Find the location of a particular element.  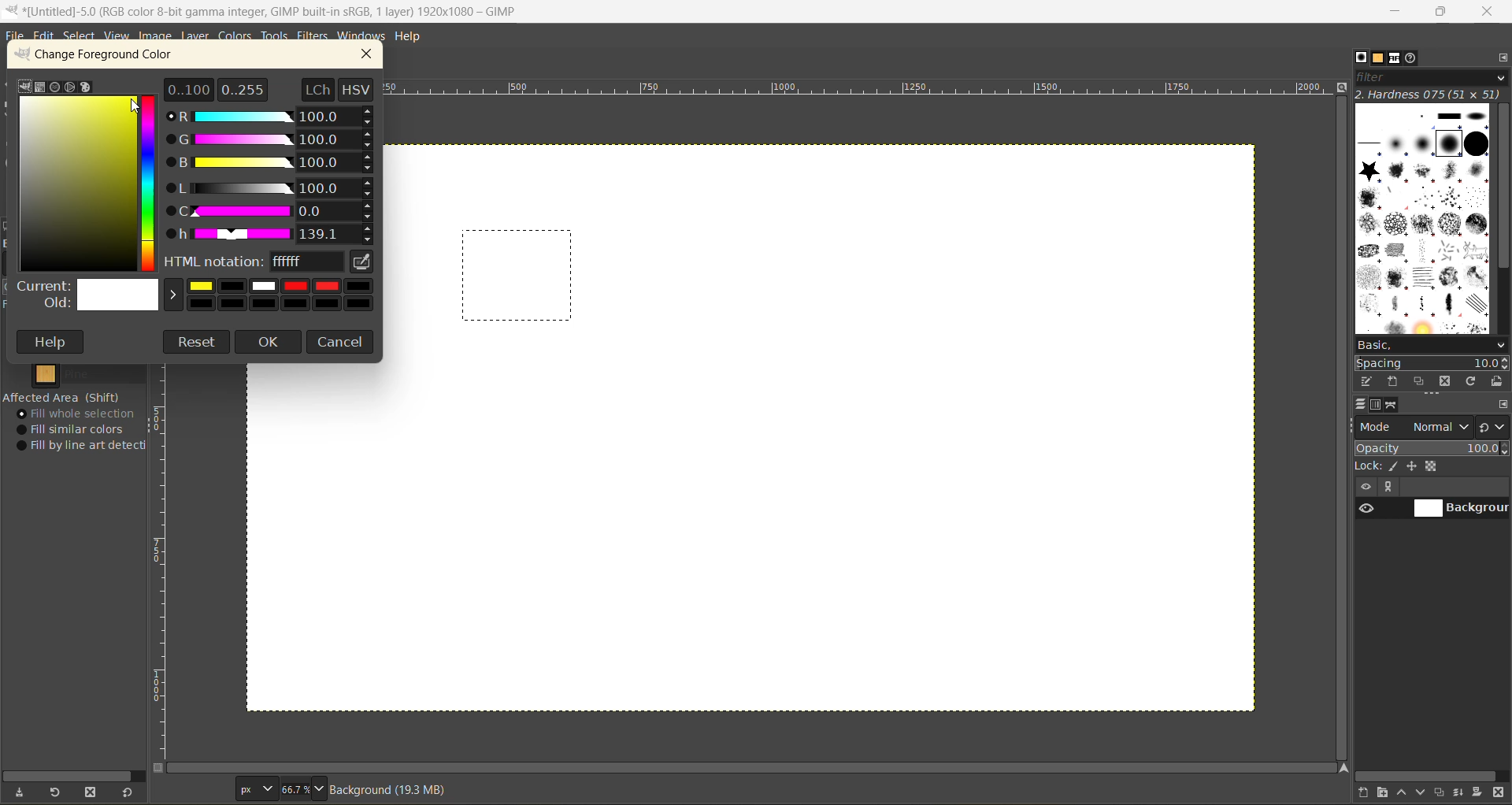

change foreground color is located at coordinates (109, 57).